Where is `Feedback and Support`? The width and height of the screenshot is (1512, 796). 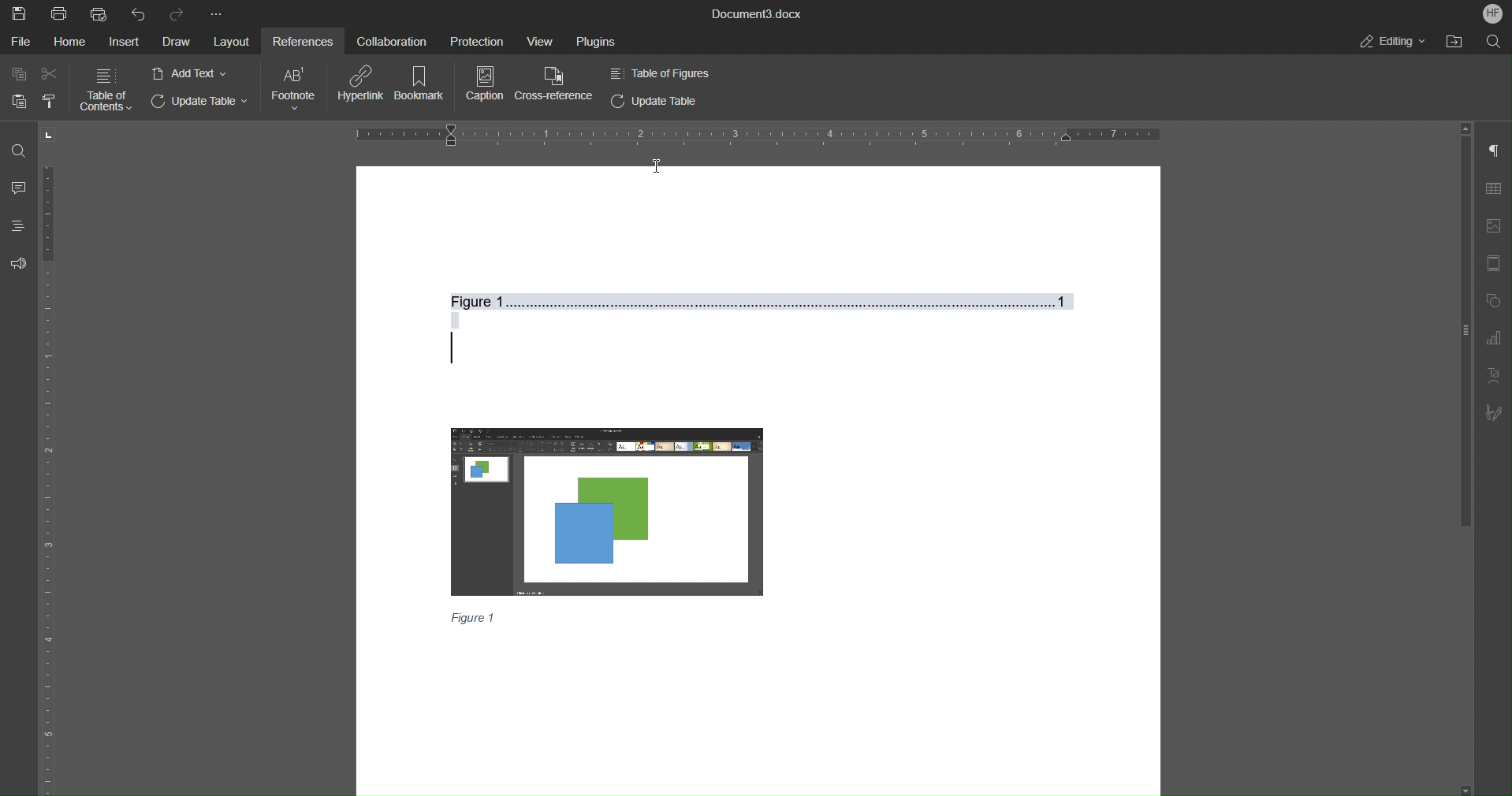 Feedback and Support is located at coordinates (17, 264).